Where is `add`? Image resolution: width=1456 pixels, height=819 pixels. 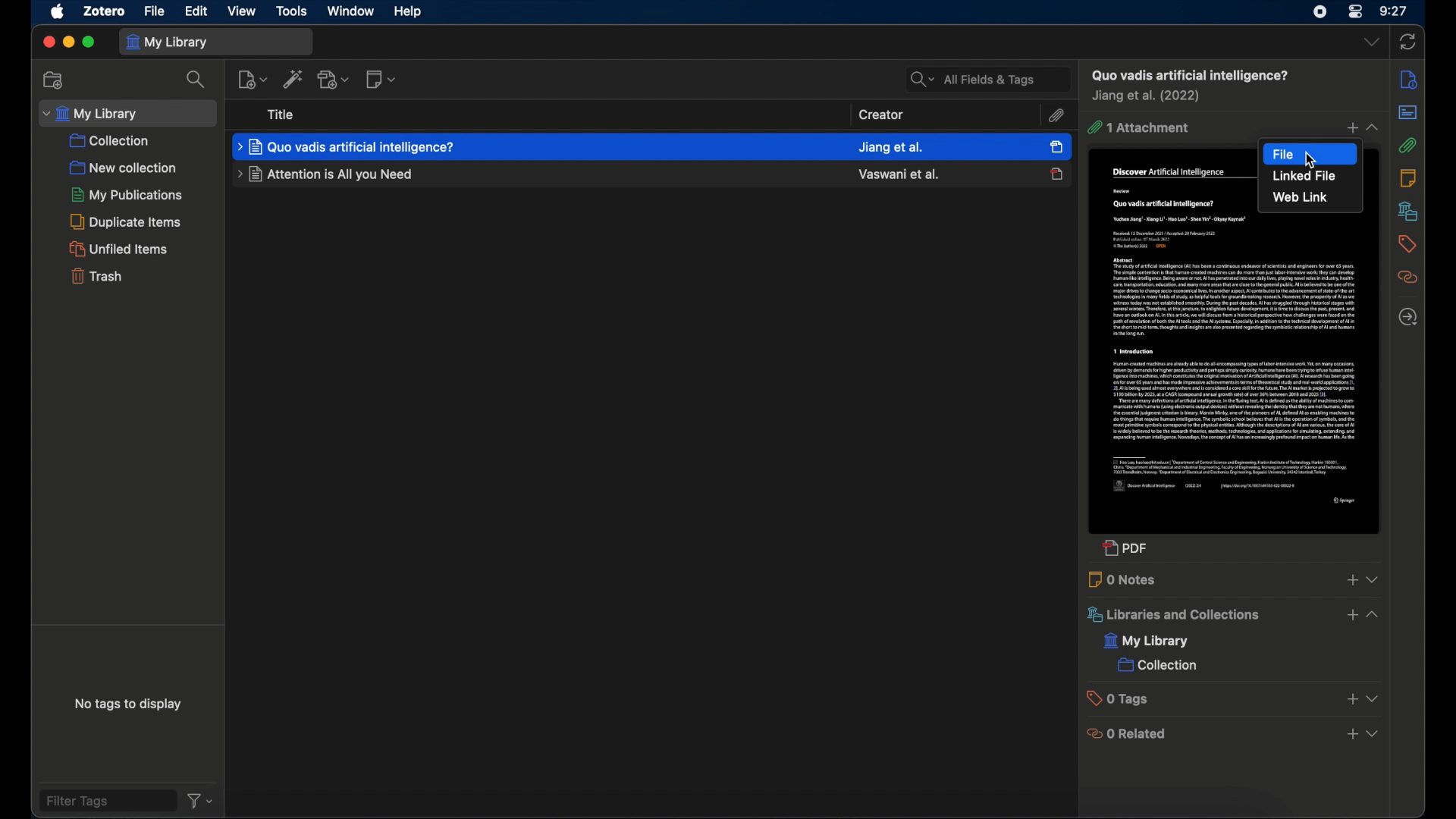
add is located at coordinates (1351, 580).